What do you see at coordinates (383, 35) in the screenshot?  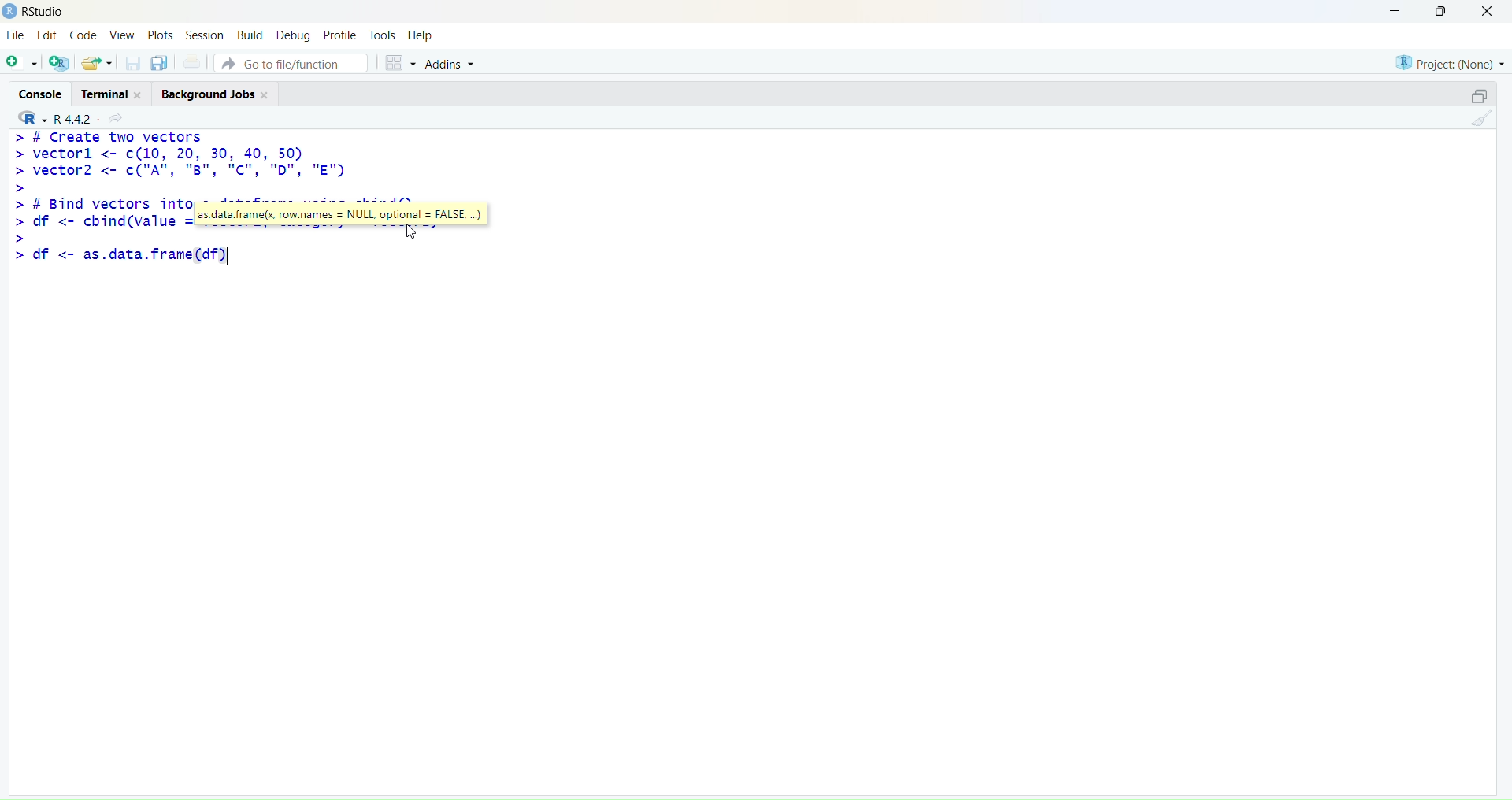 I see `Tools` at bounding box center [383, 35].